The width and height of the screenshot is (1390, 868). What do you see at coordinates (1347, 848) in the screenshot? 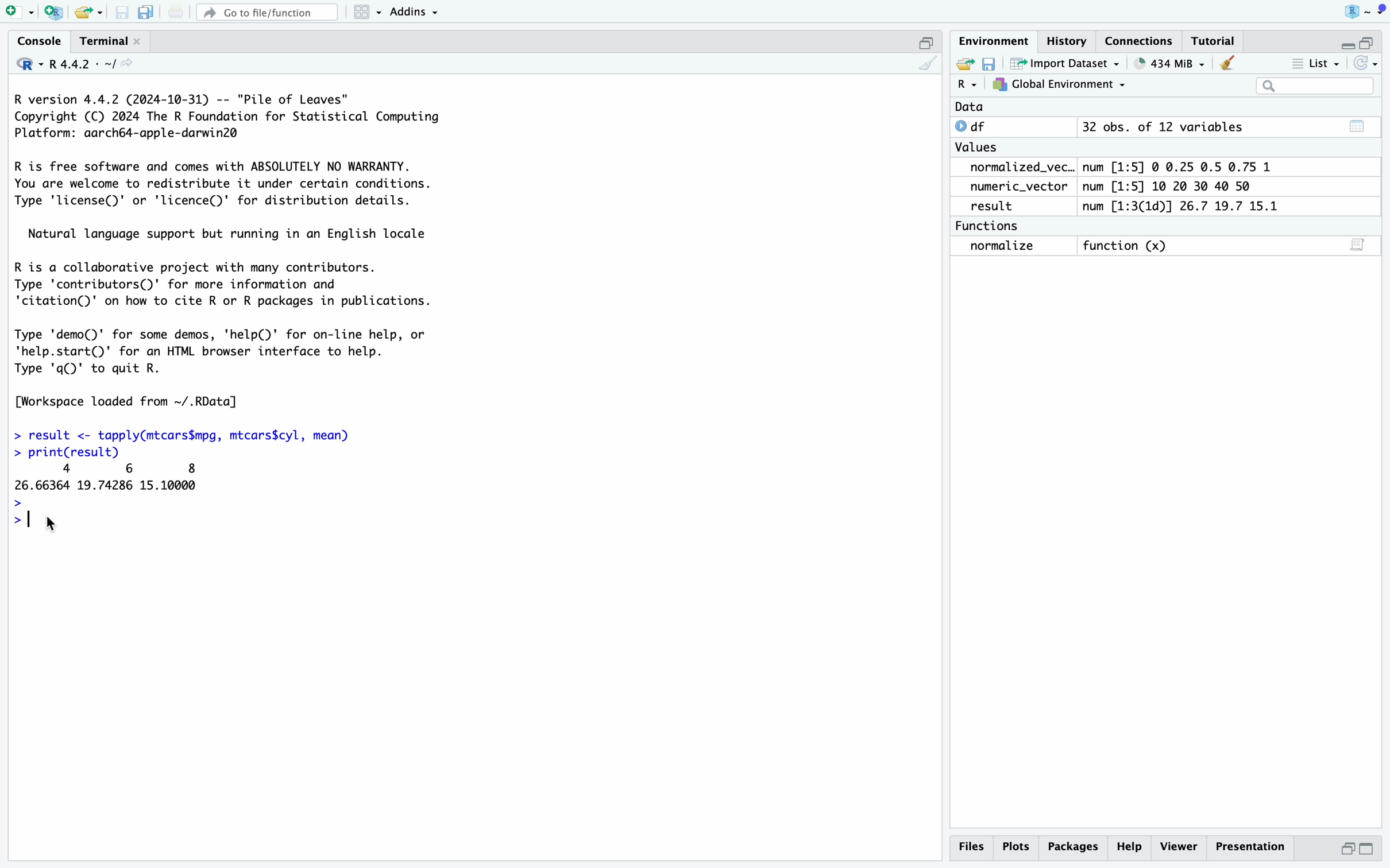
I see `Half height` at bounding box center [1347, 848].